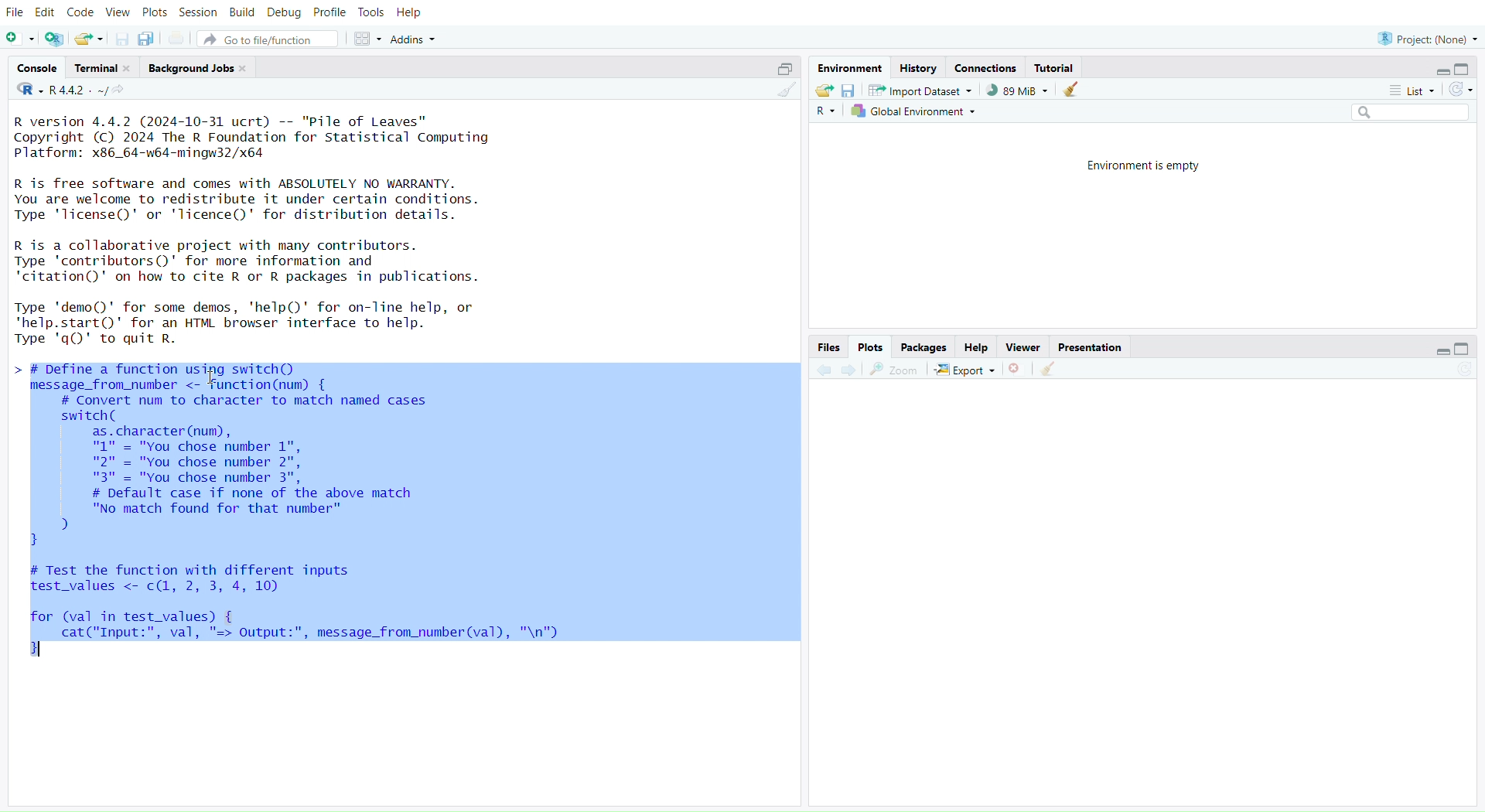  What do you see at coordinates (824, 91) in the screenshot?
I see `Load workspace` at bounding box center [824, 91].